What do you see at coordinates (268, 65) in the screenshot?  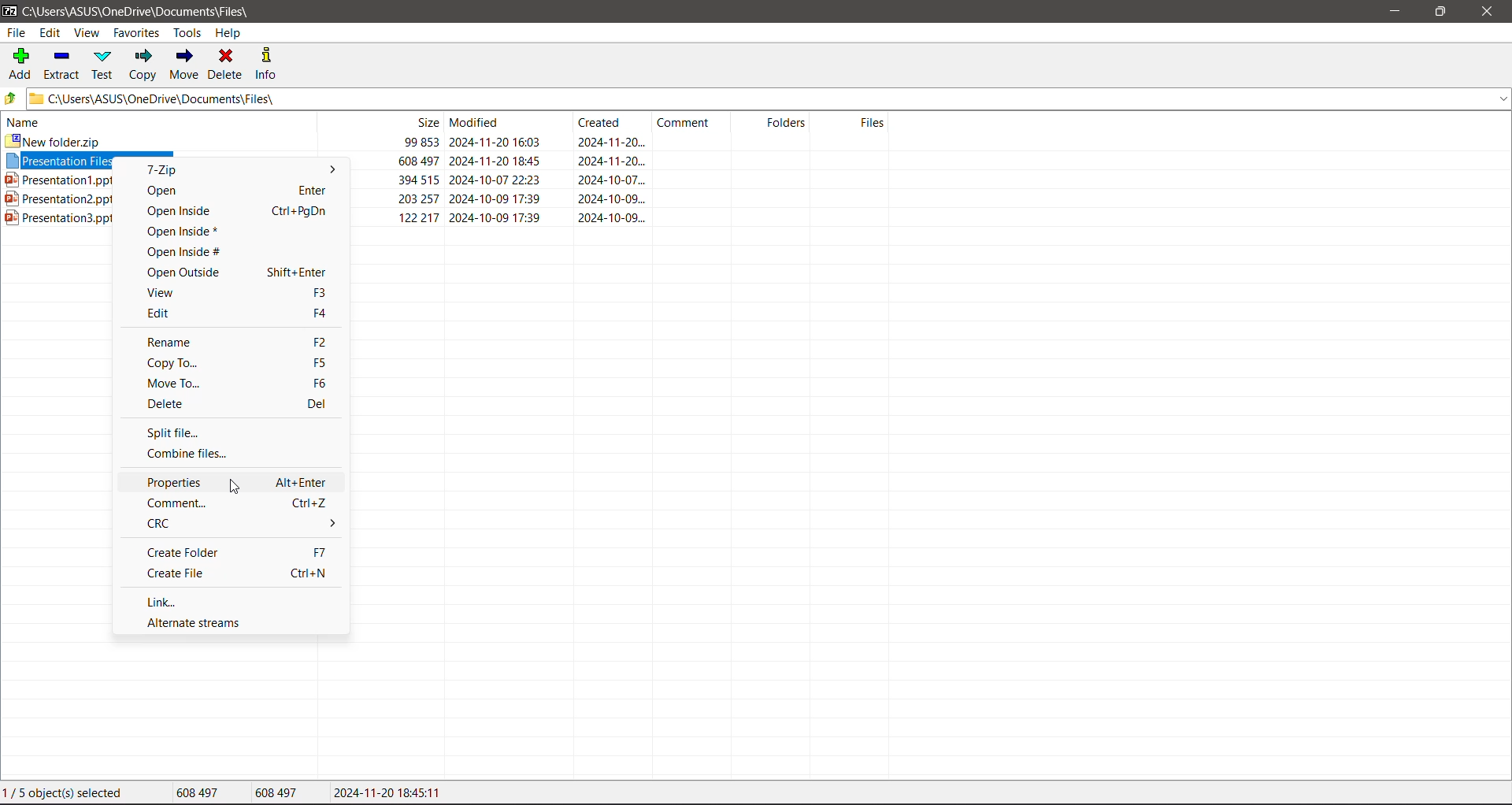 I see `Info` at bounding box center [268, 65].